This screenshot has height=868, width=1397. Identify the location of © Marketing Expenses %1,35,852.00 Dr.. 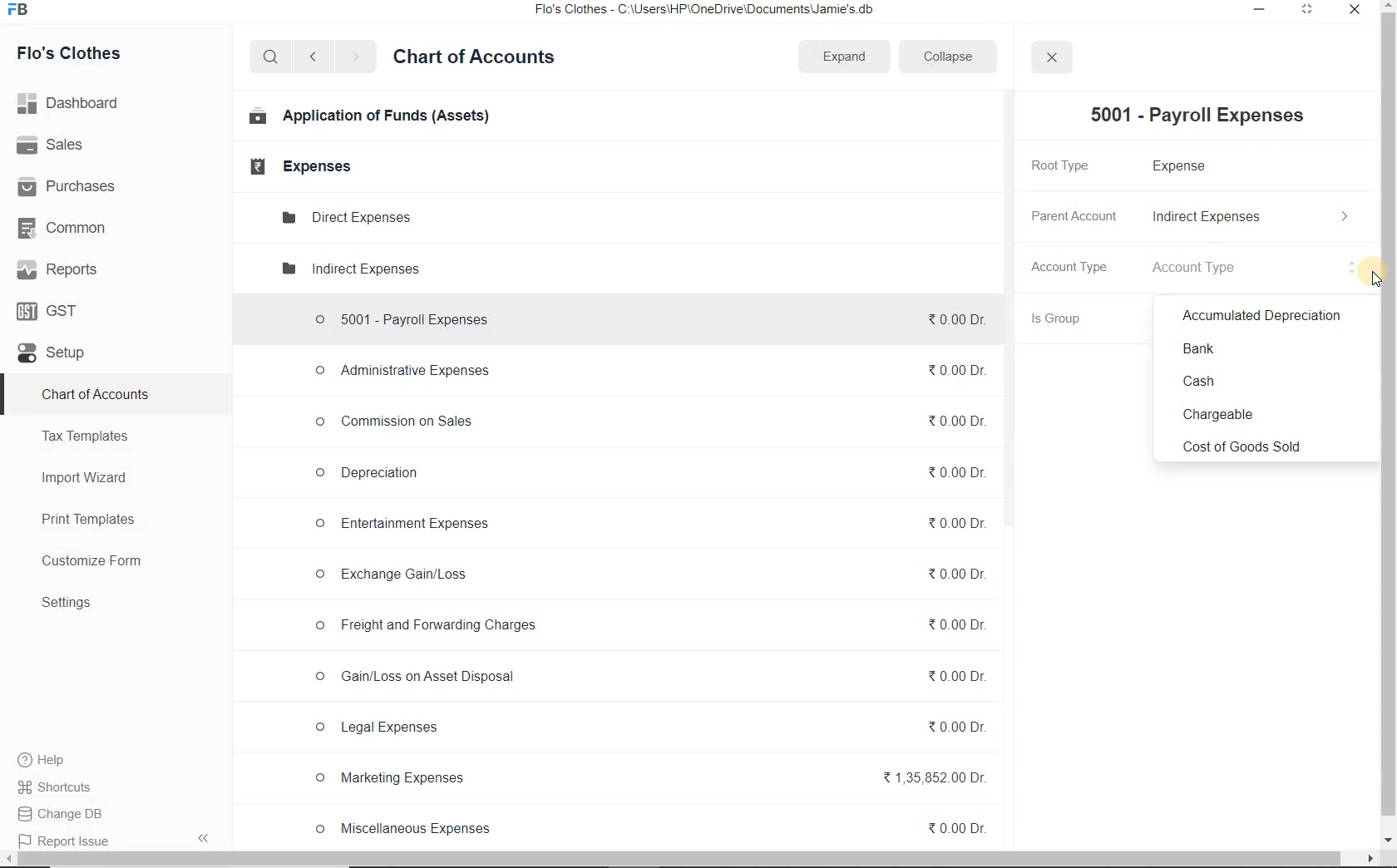
(647, 779).